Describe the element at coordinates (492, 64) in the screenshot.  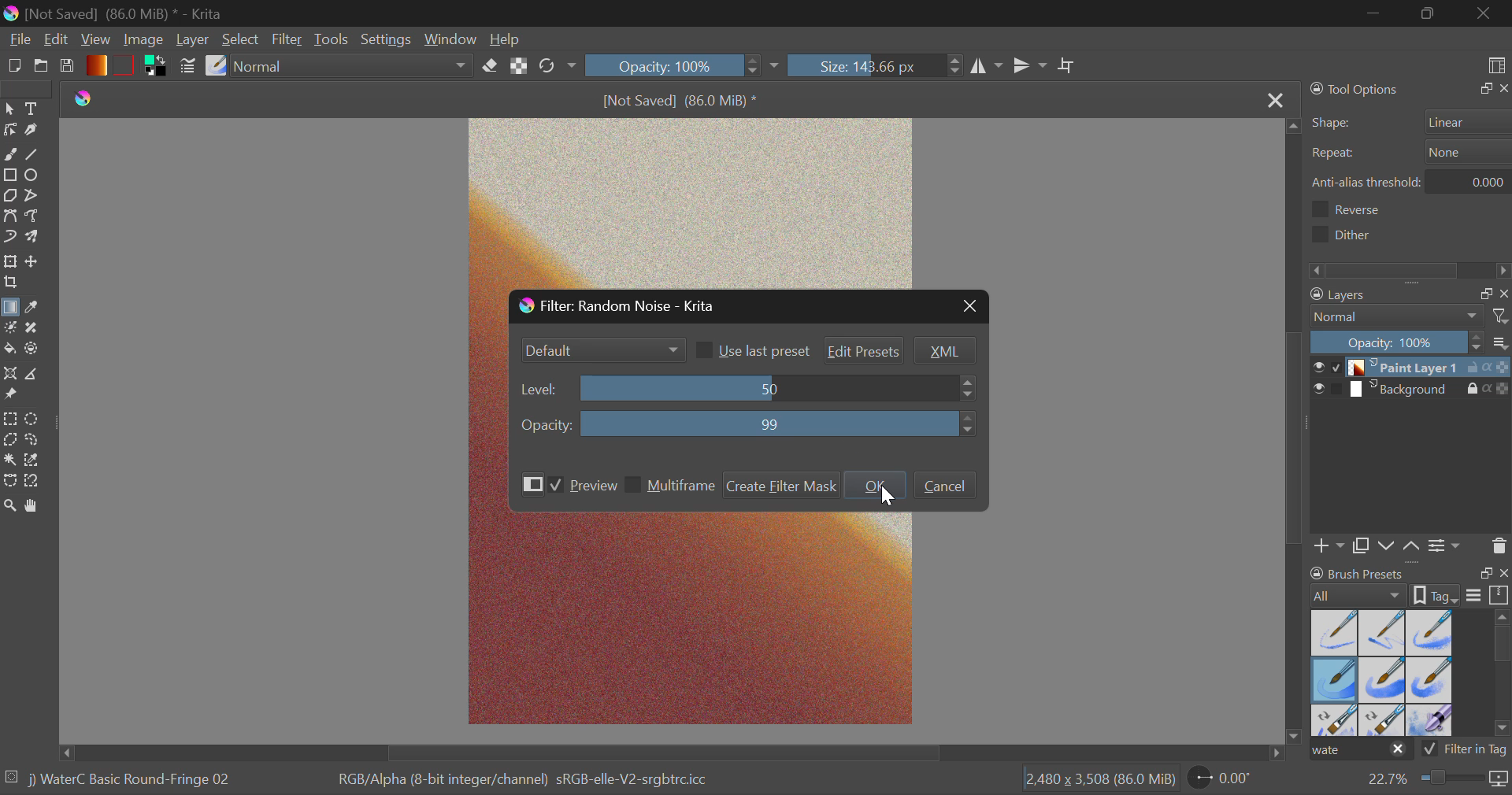
I see `Eraser` at that location.